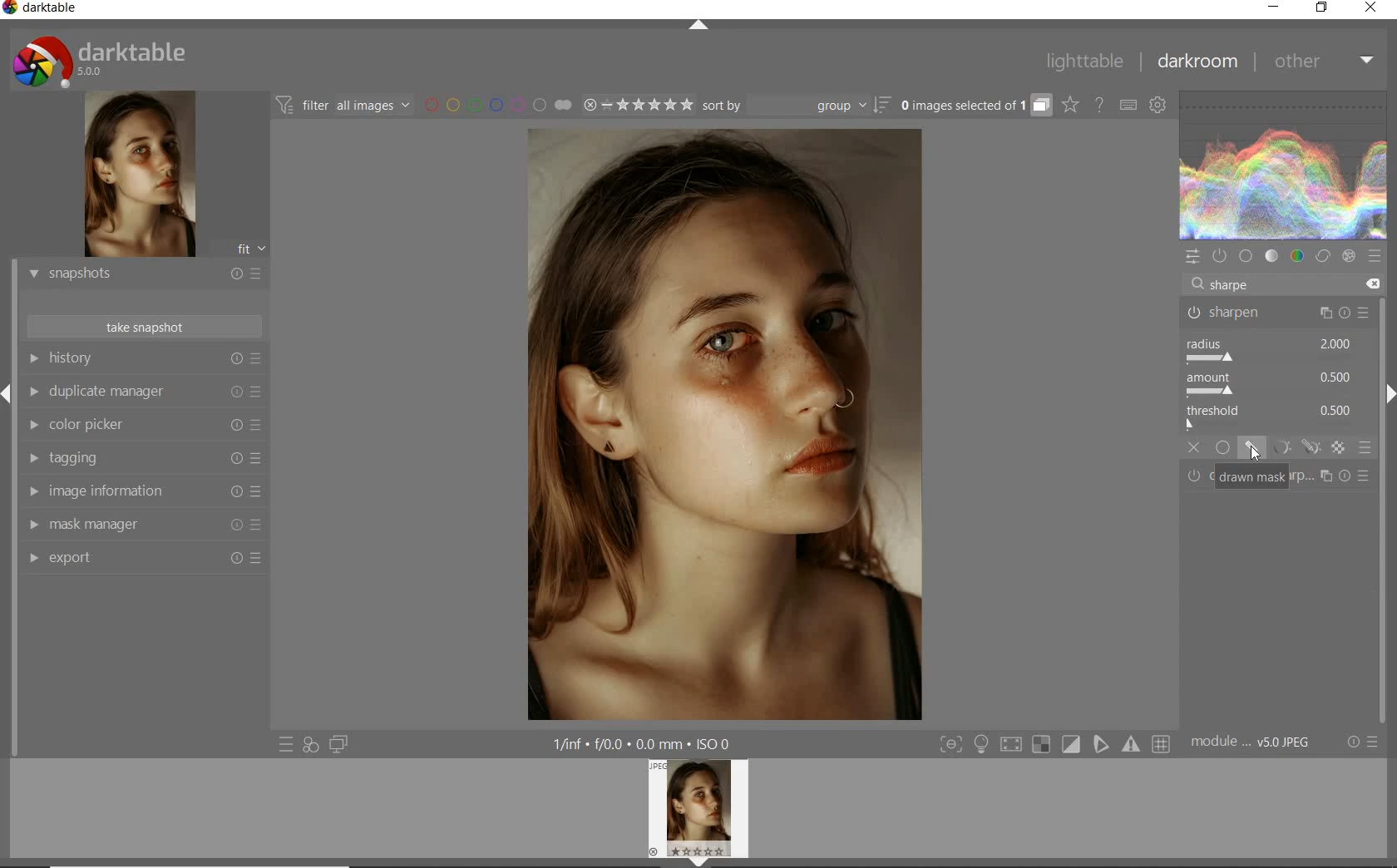 The width and height of the screenshot is (1397, 868). What do you see at coordinates (287, 743) in the screenshot?
I see `quick access to presets` at bounding box center [287, 743].